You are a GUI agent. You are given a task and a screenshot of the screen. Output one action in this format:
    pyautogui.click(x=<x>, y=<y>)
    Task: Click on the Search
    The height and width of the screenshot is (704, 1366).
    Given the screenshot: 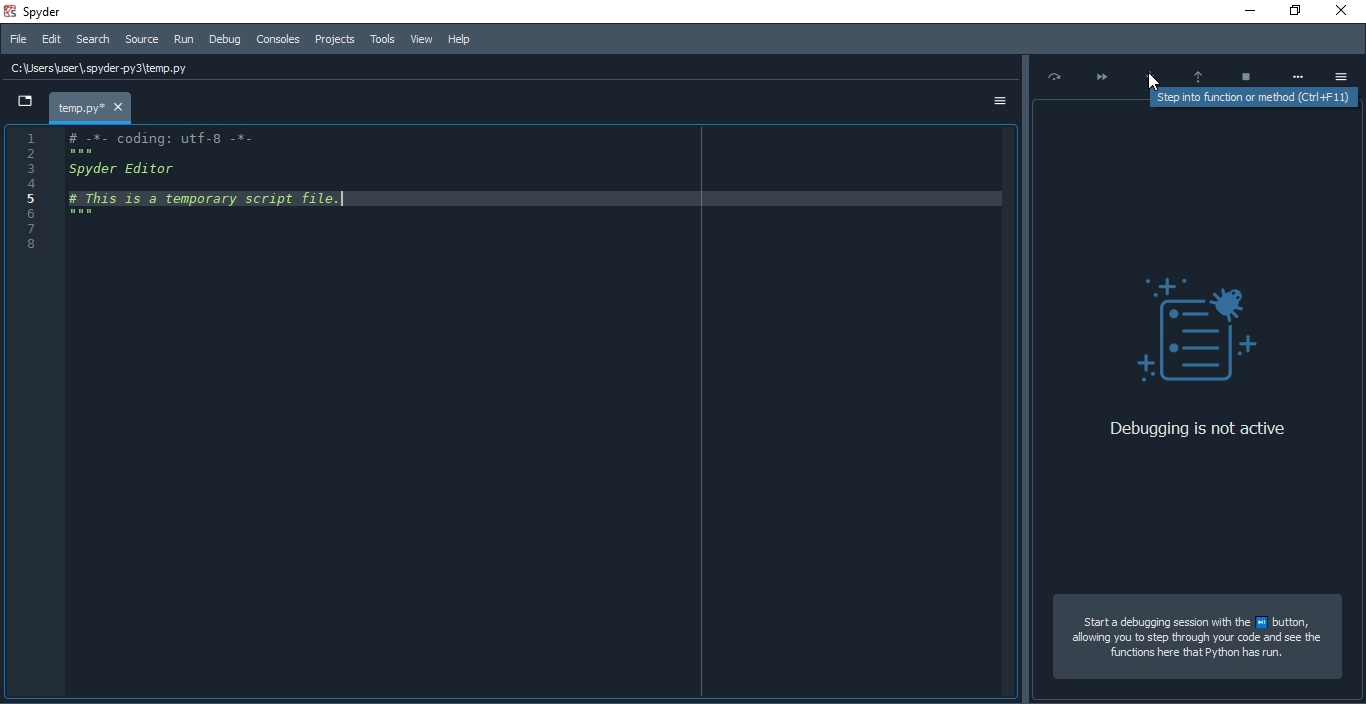 What is the action you would take?
    pyautogui.click(x=91, y=40)
    